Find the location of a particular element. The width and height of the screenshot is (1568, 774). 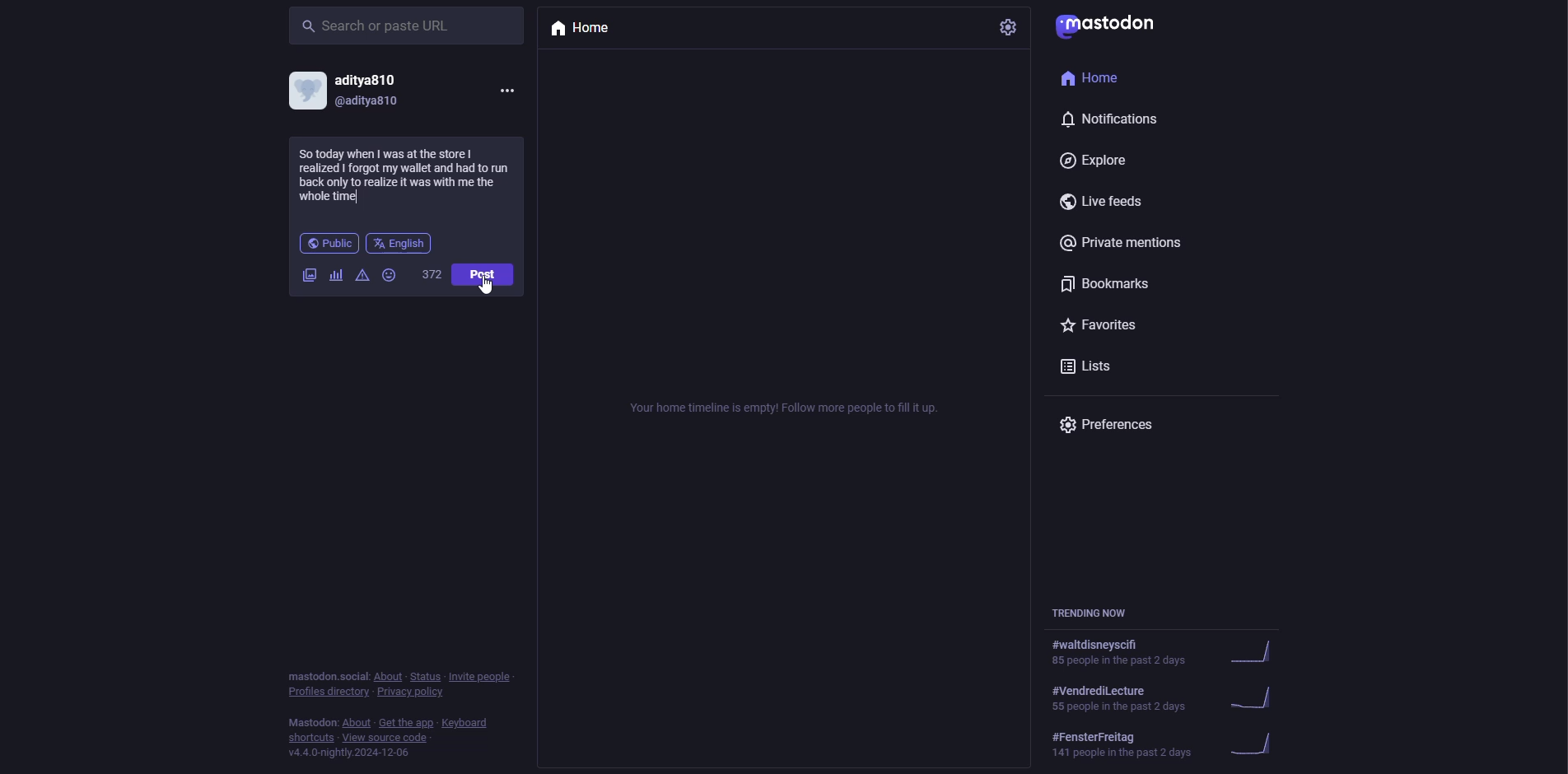

account is located at coordinates (352, 90).